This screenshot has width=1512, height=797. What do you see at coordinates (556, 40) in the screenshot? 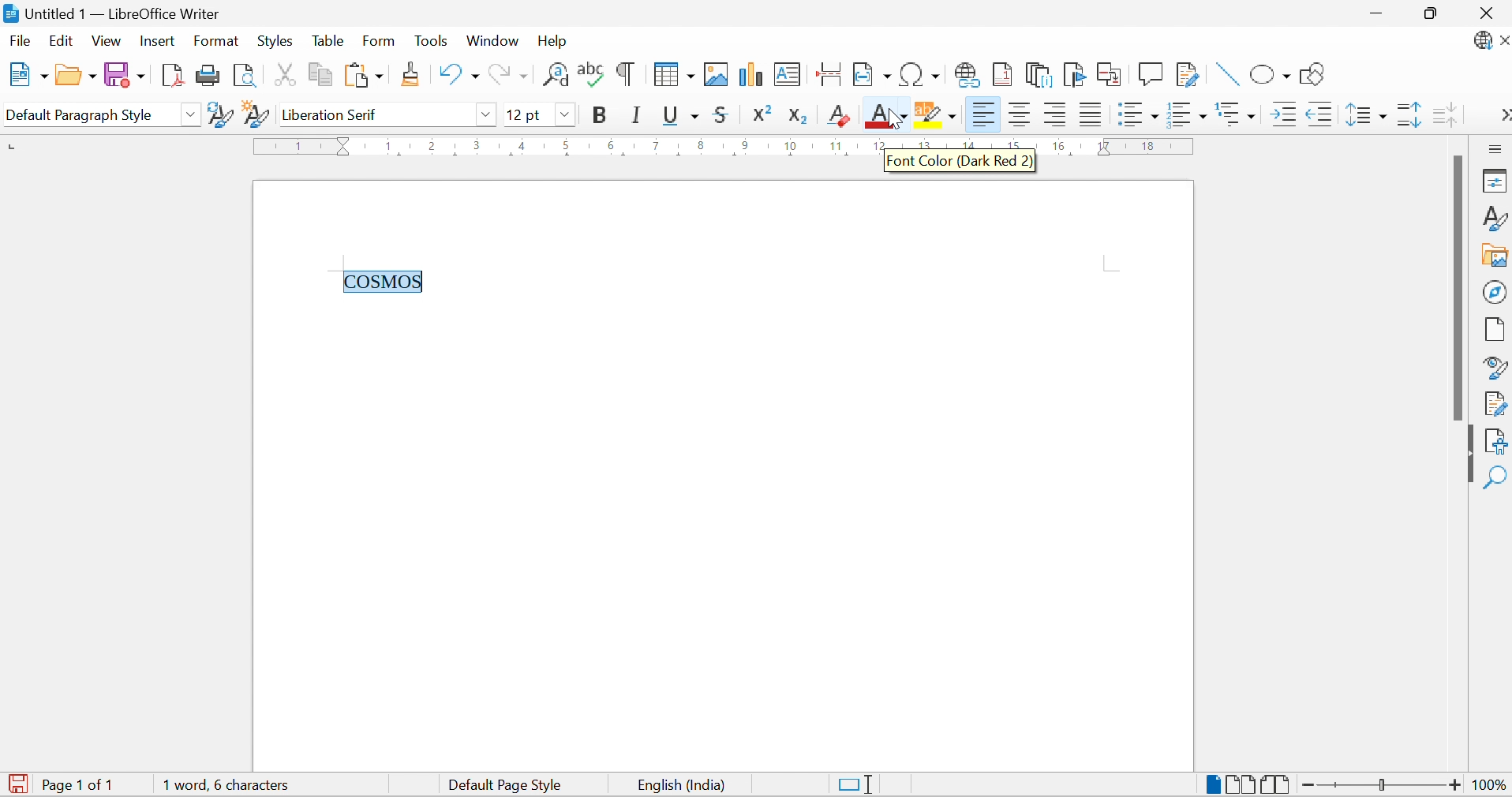
I see `Help` at bounding box center [556, 40].